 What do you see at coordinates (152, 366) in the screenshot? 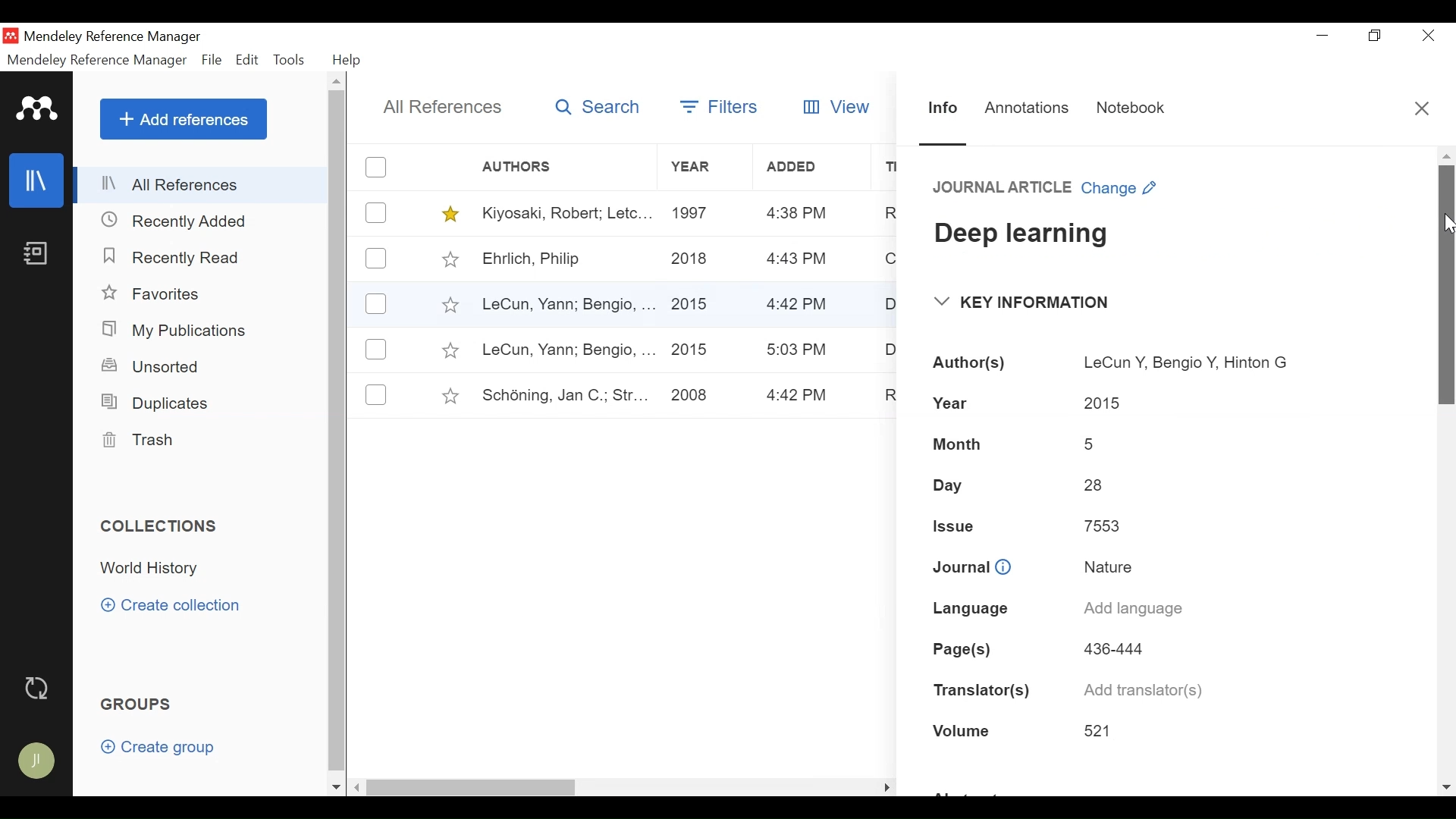
I see `Unsorted` at bounding box center [152, 366].